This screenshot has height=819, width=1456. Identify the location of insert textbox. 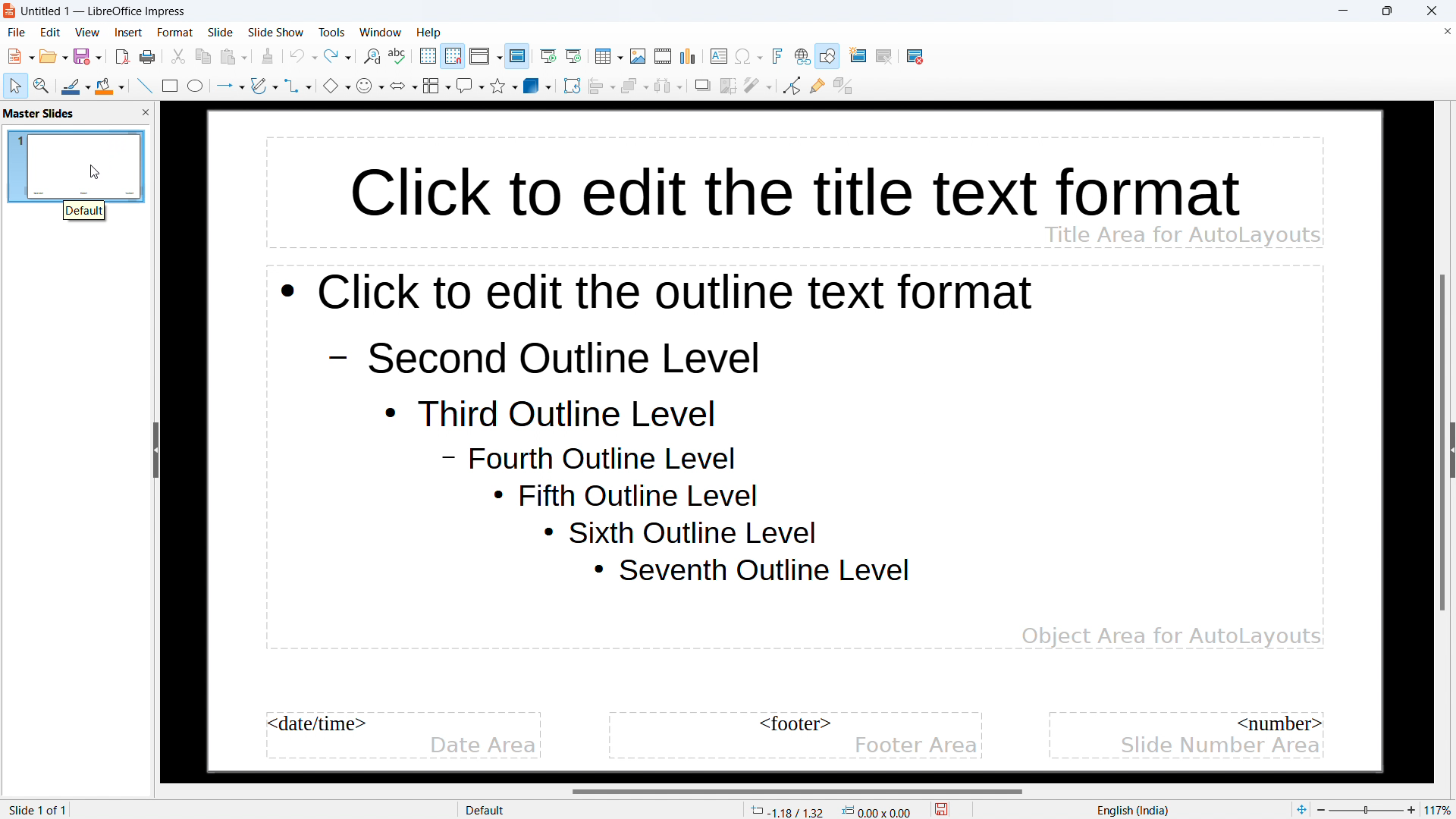
(720, 56).